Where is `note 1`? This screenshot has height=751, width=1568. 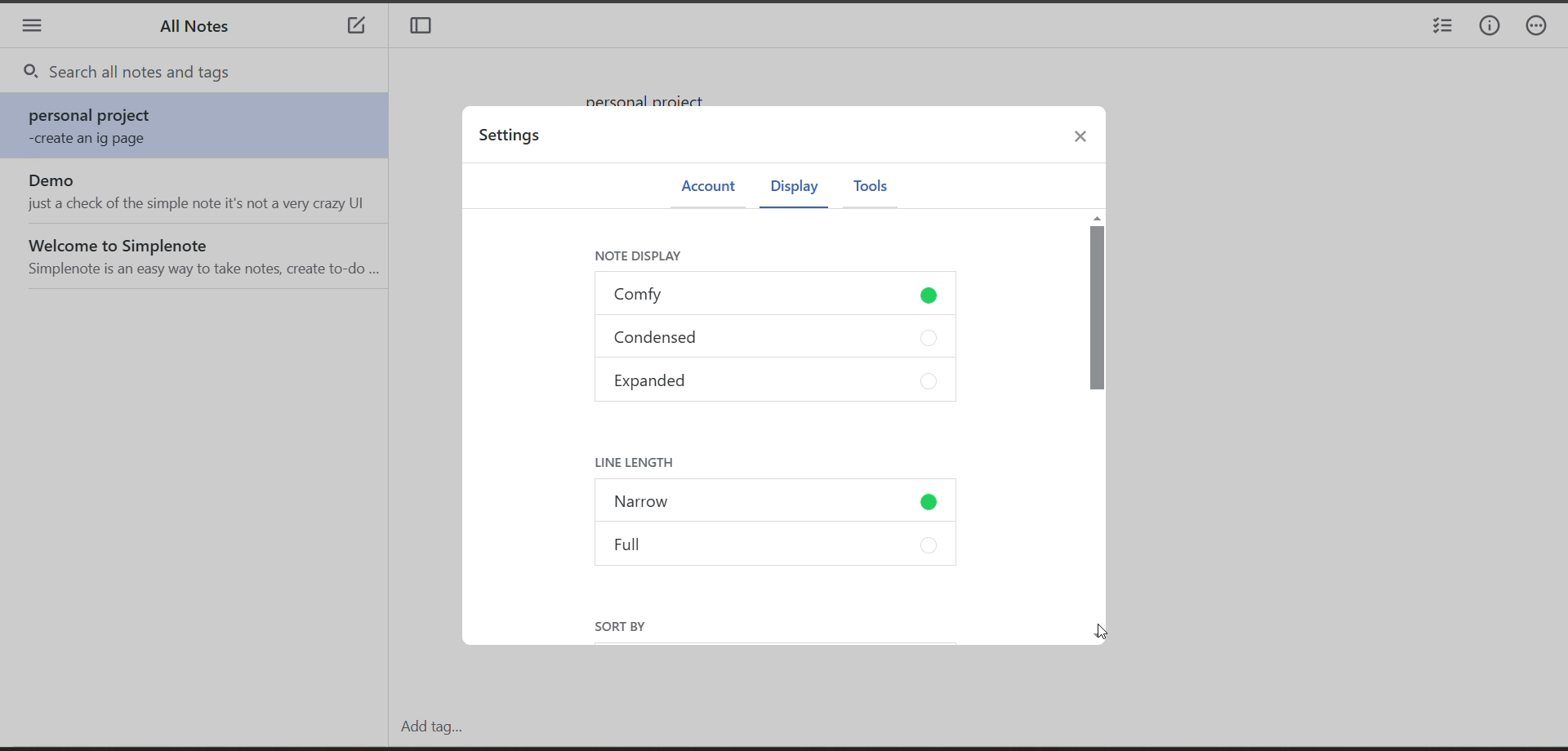 note 1 is located at coordinates (200, 127).